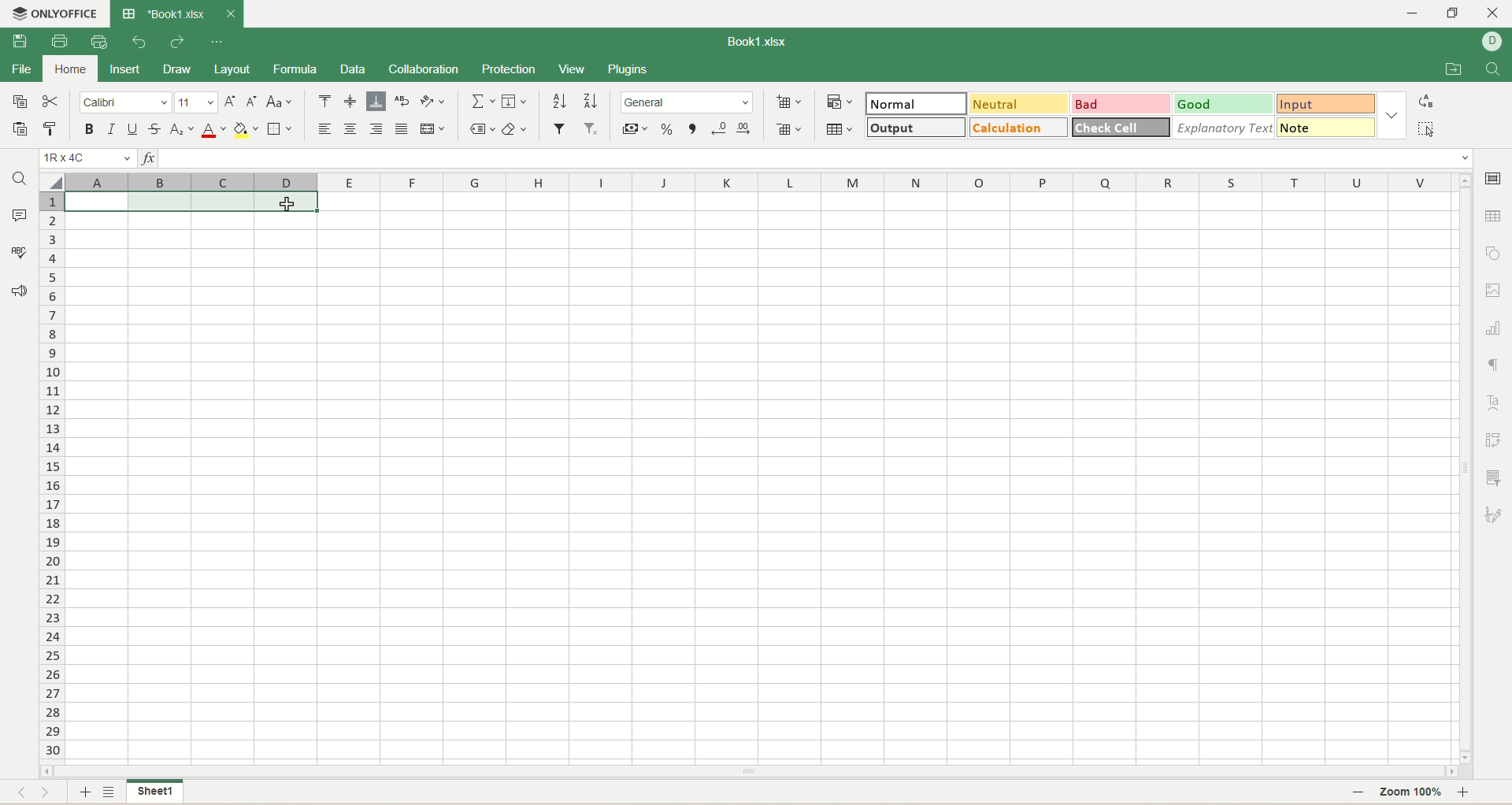  I want to click on font name, so click(124, 102).